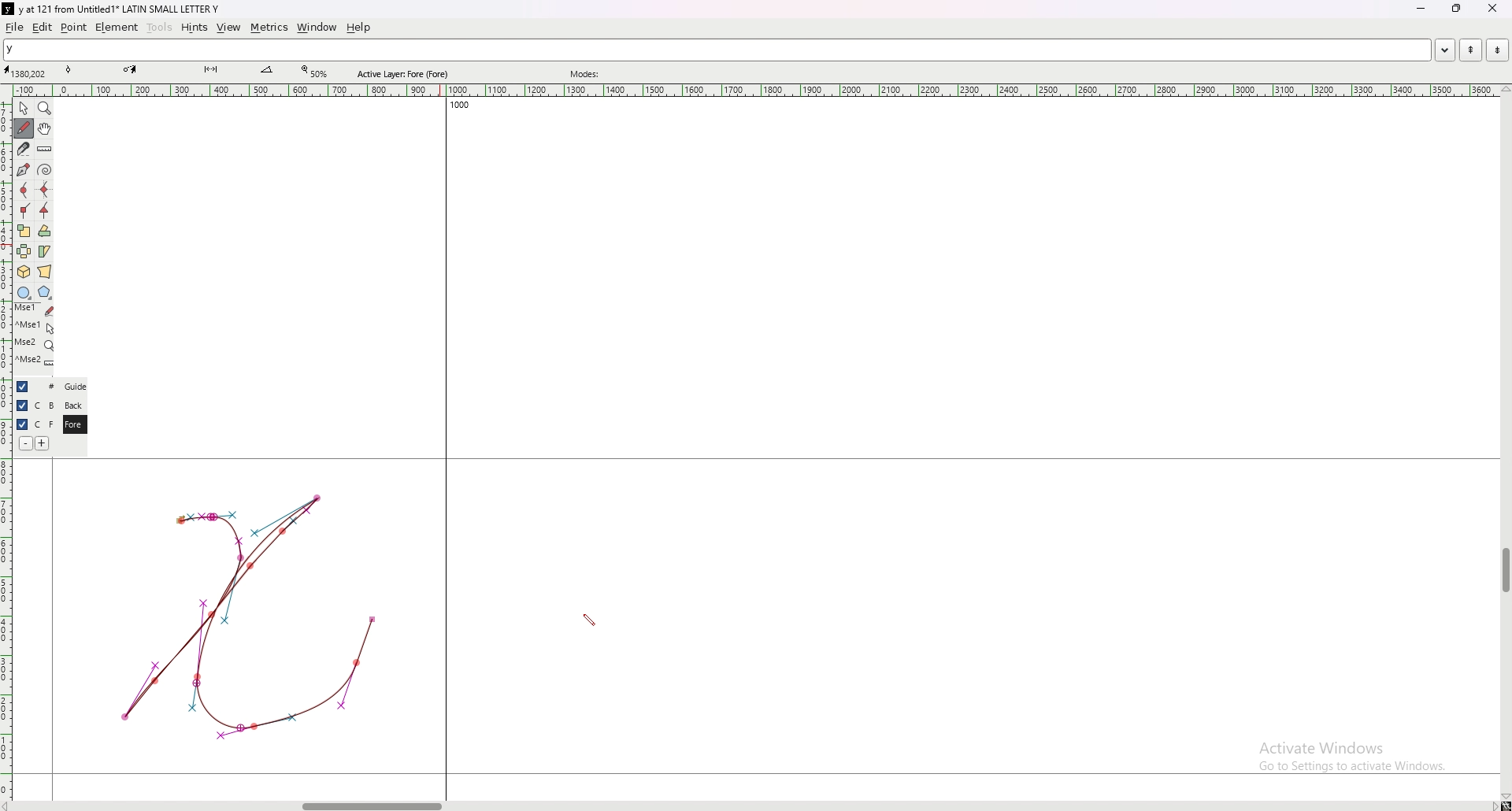  I want to click on scroll bar horizontal, so click(372, 802).